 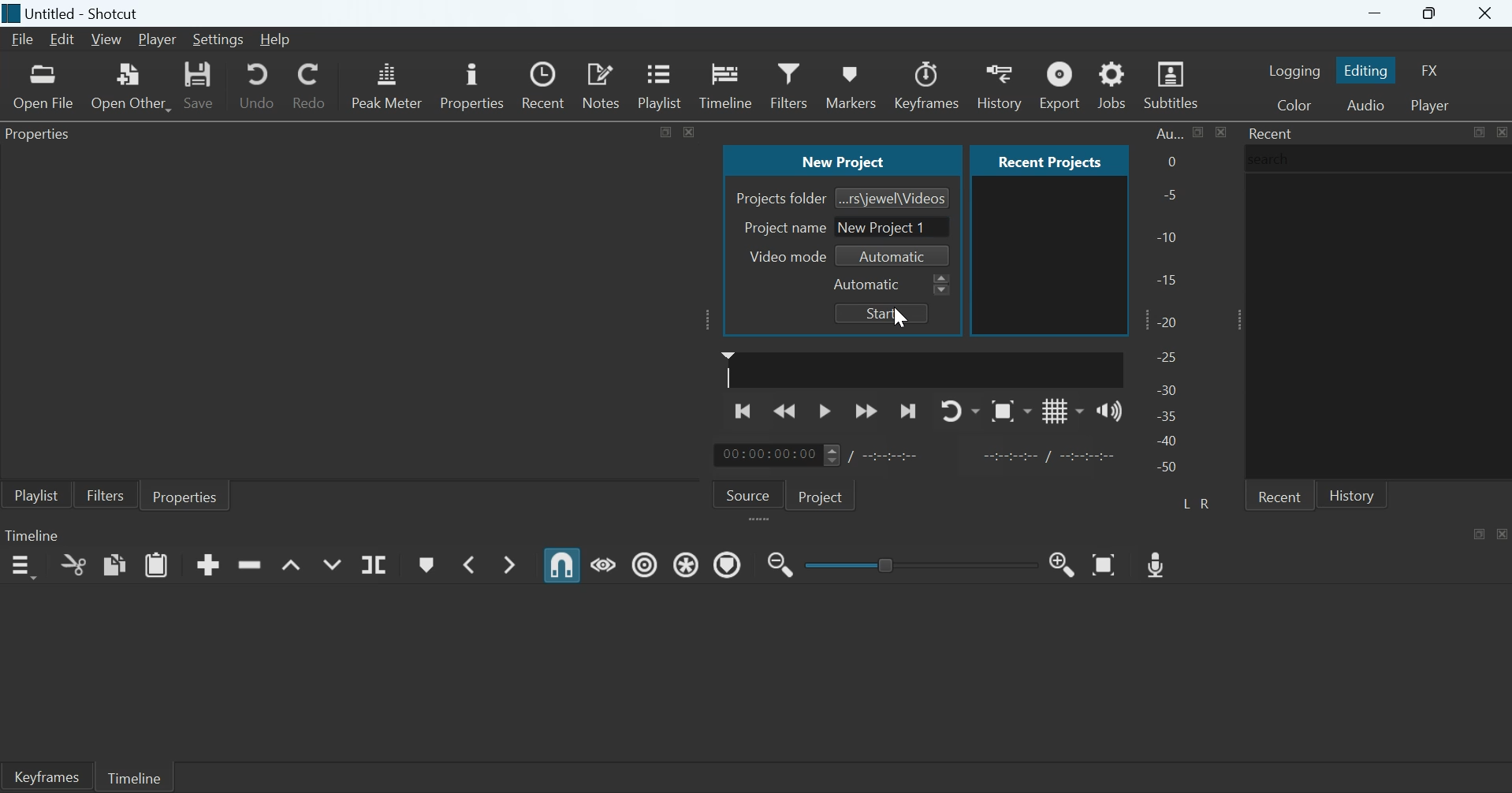 What do you see at coordinates (249, 564) in the screenshot?
I see `Ripple delete` at bounding box center [249, 564].